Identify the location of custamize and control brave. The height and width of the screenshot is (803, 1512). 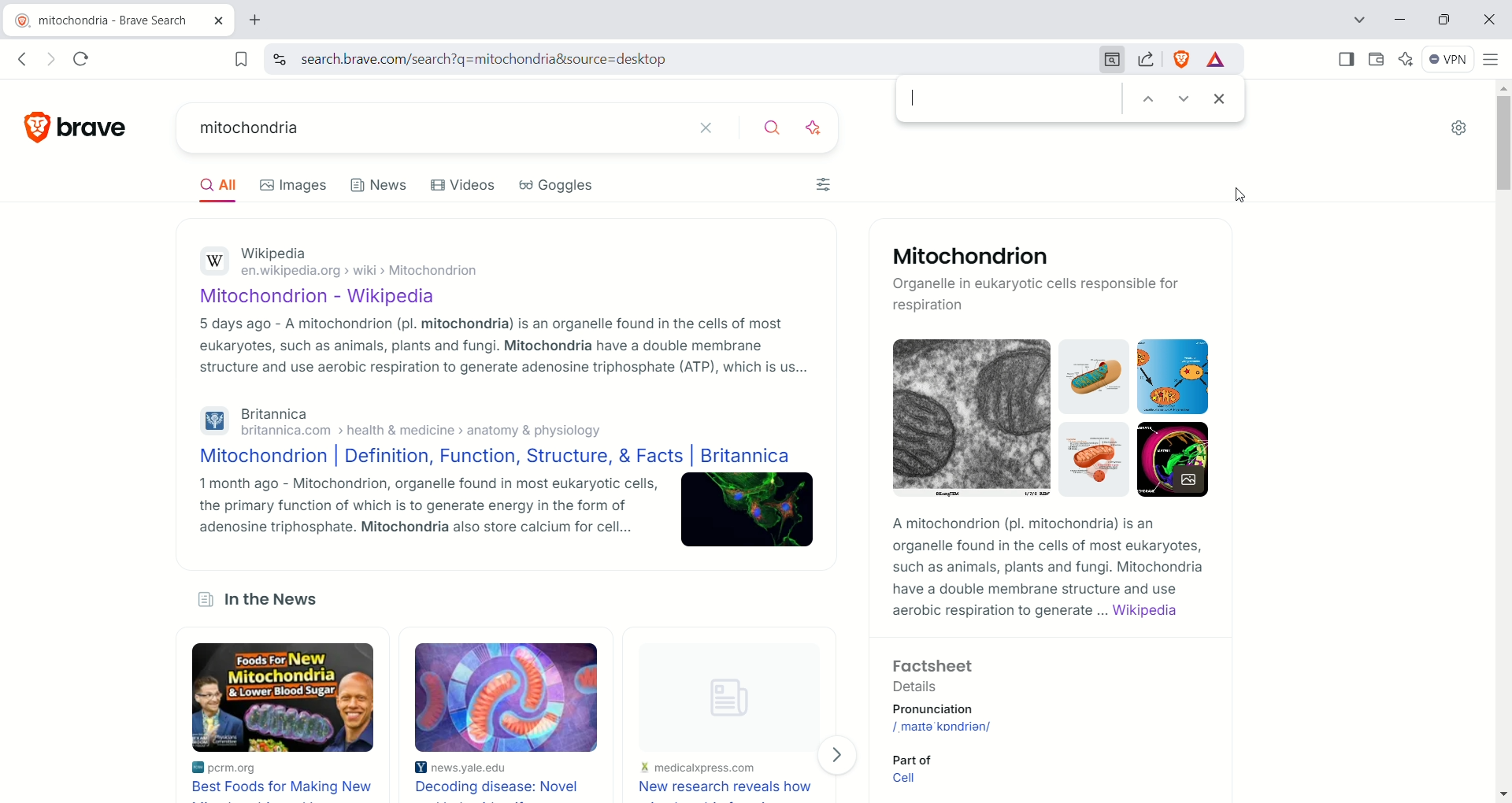
(1492, 61).